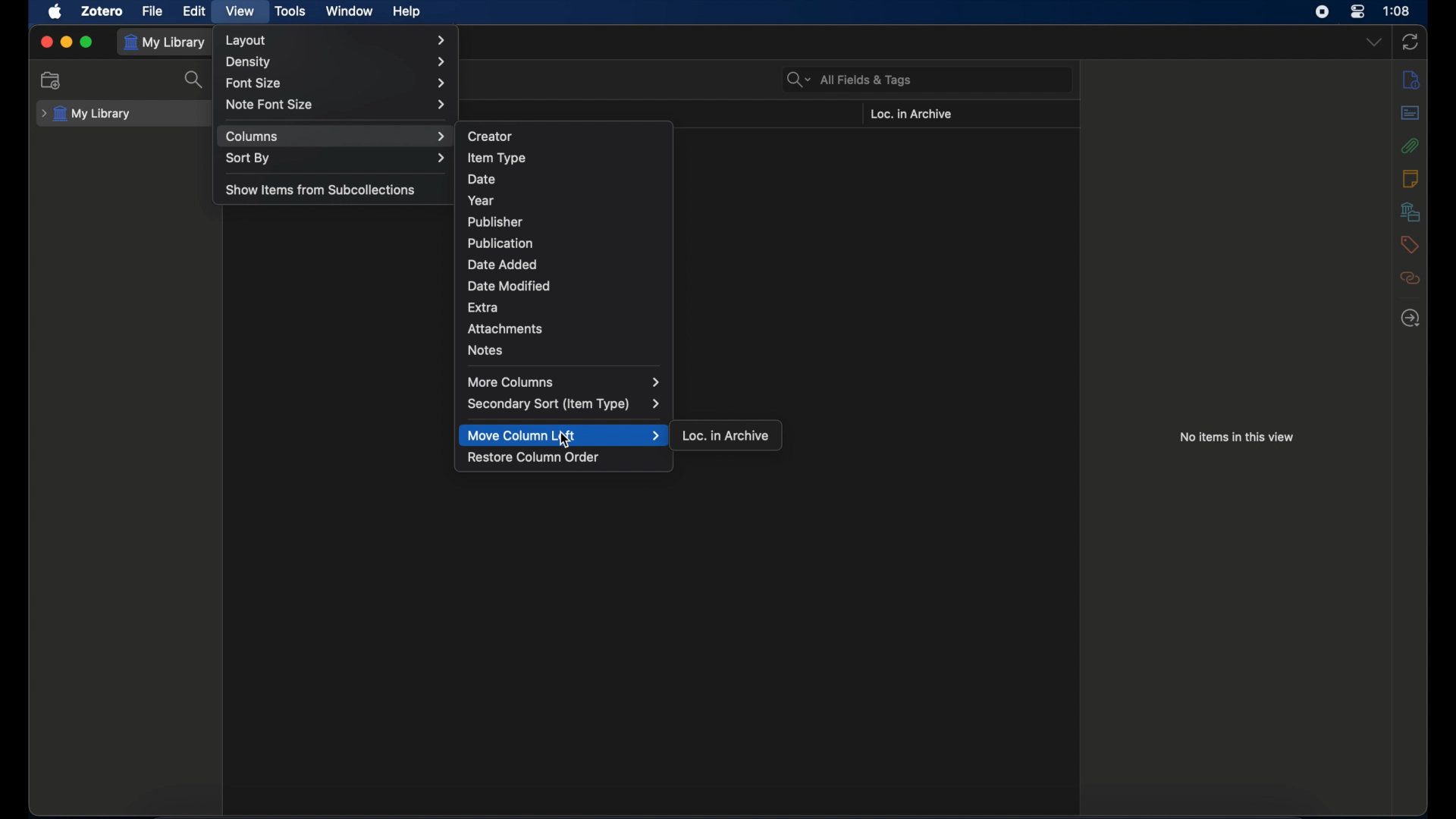 The height and width of the screenshot is (819, 1456). Describe the element at coordinates (153, 11) in the screenshot. I see `file` at that location.